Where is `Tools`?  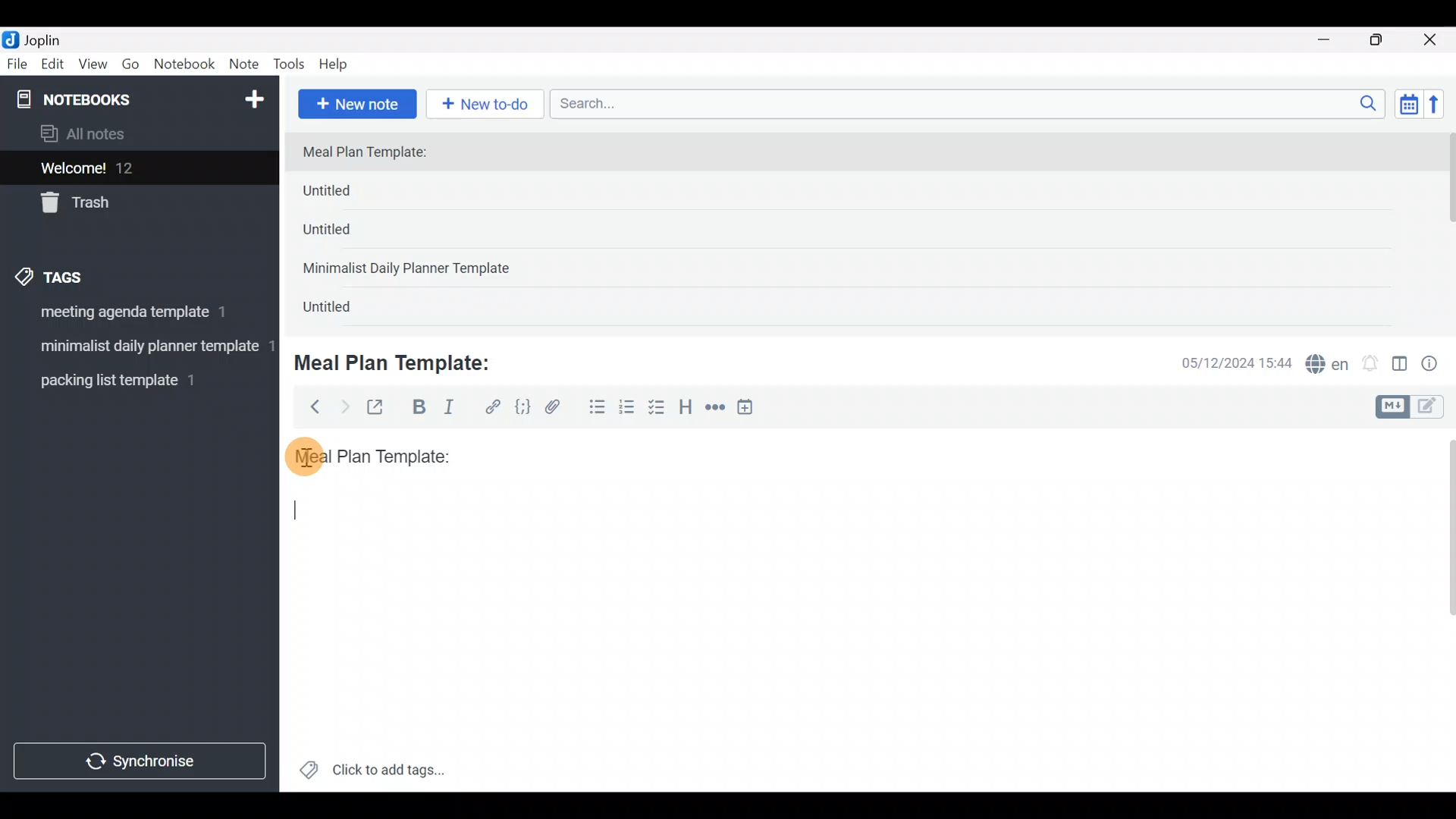 Tools is located at coordinates (290, 65).